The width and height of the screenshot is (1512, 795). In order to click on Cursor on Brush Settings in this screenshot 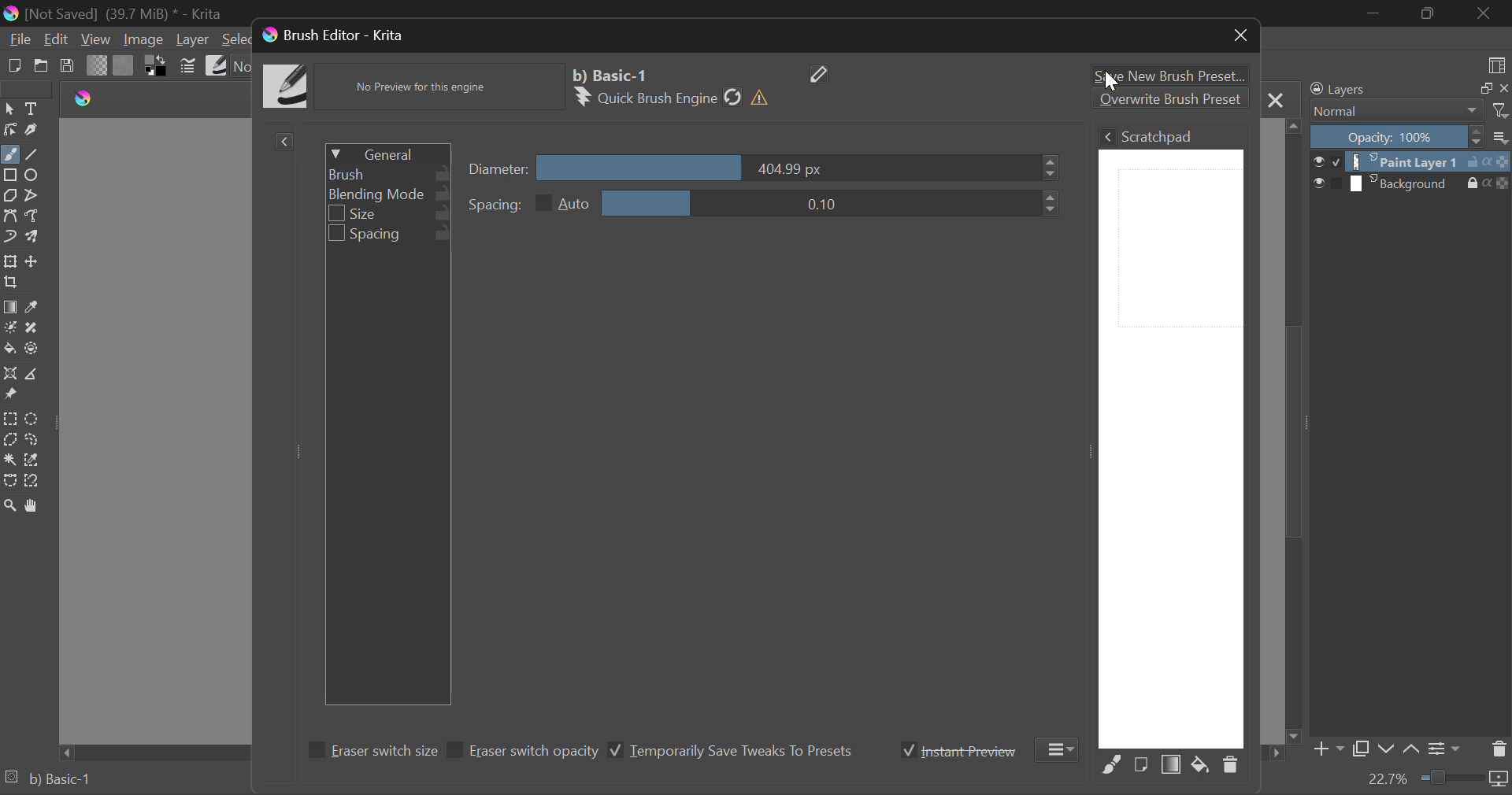, I will do `click(188, 66)`.